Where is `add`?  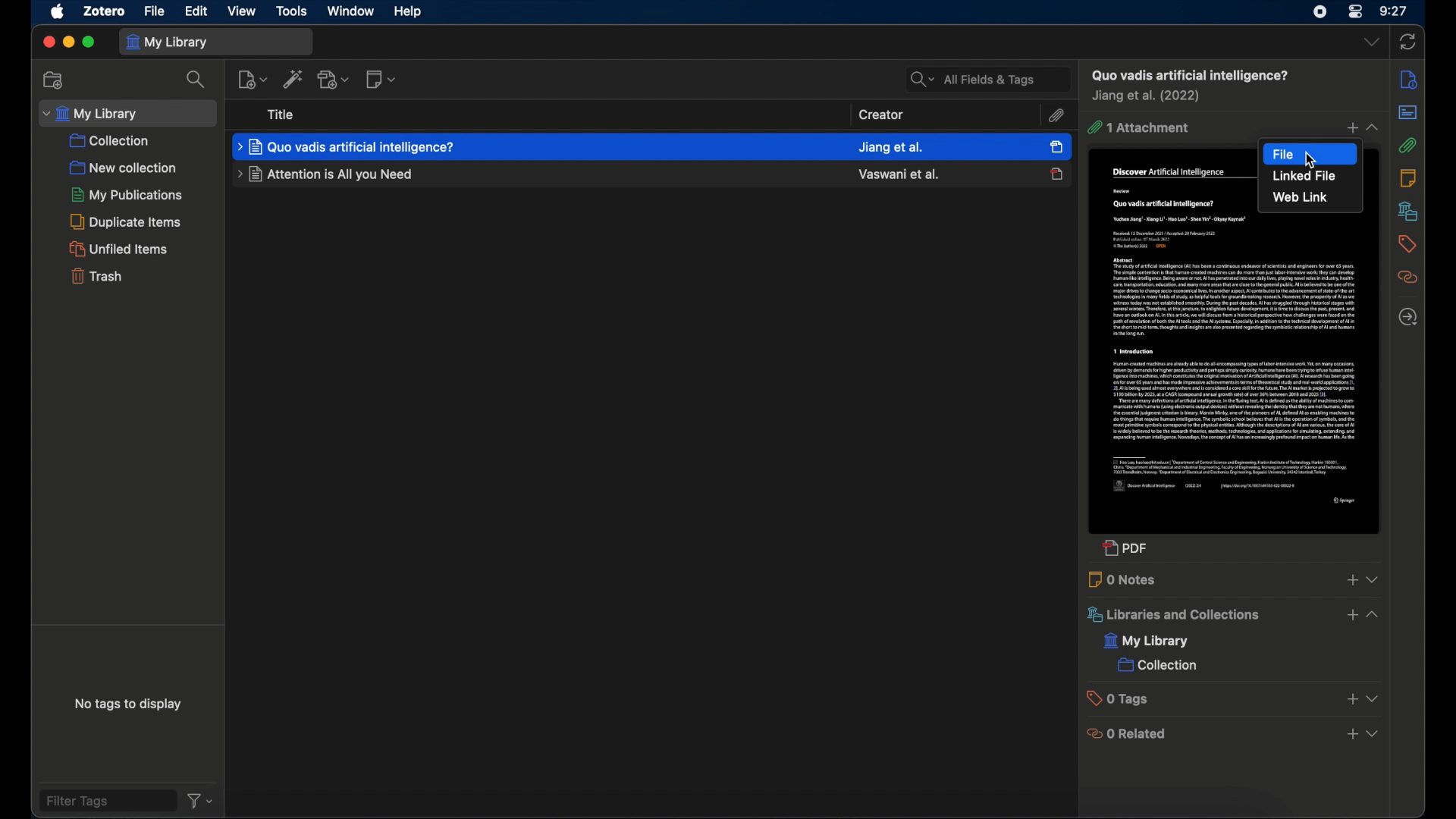
add is located at coordinates (1351, 735).